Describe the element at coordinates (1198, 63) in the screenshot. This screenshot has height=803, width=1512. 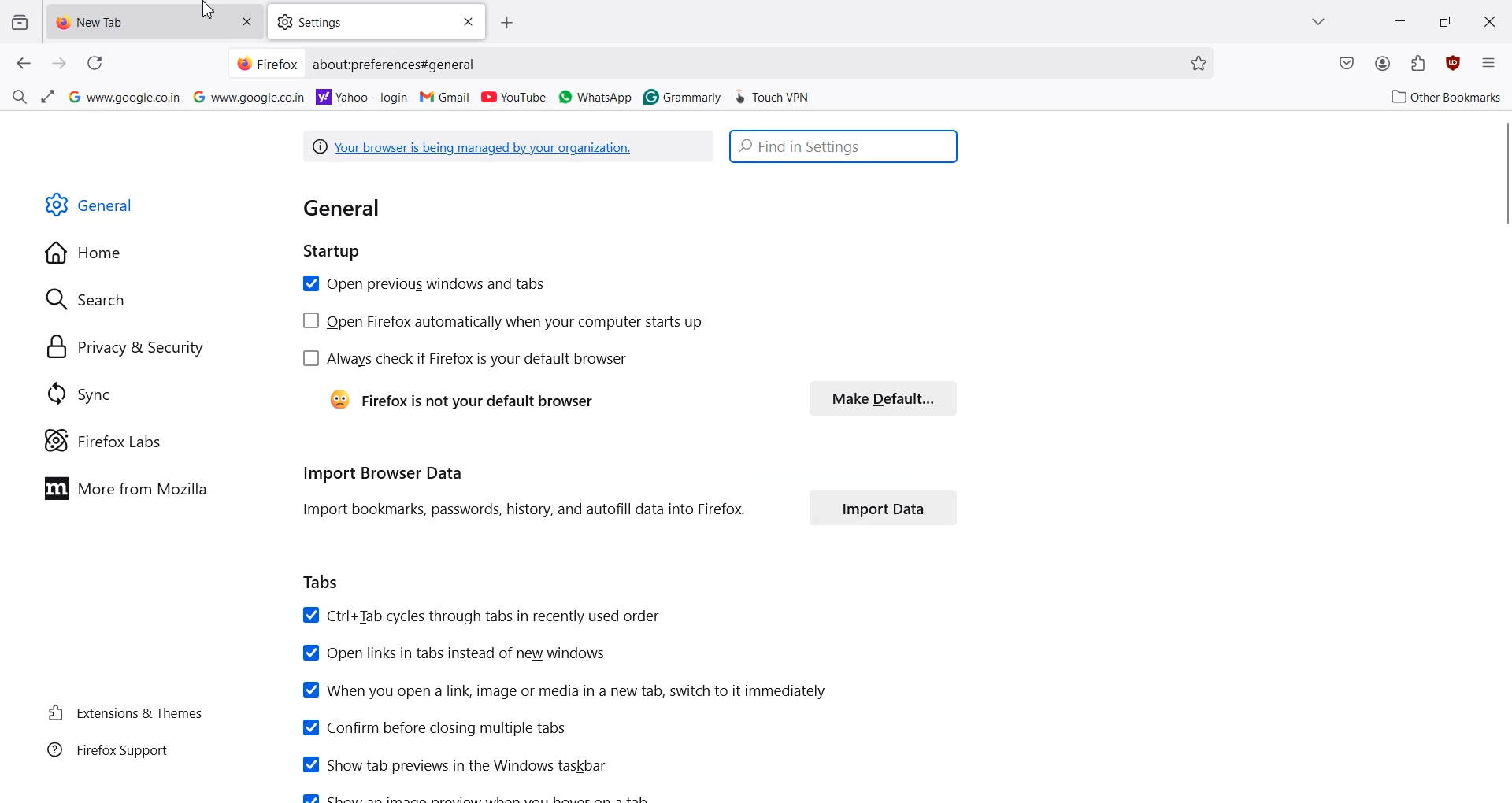
I see `Favorites` at that location.